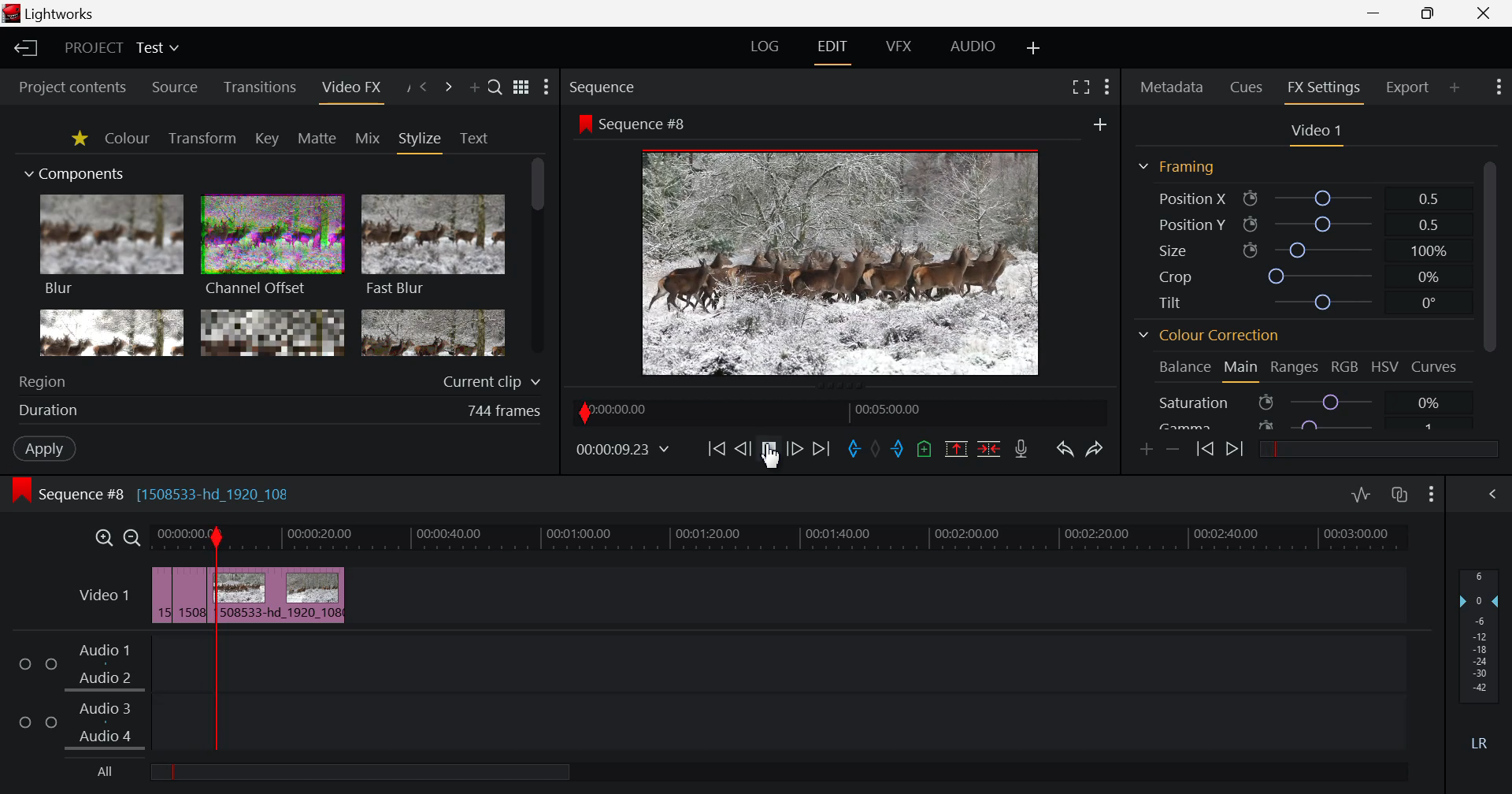 This screenshot has width=1512, height=794. I want to click on Region, so click(280, 380).